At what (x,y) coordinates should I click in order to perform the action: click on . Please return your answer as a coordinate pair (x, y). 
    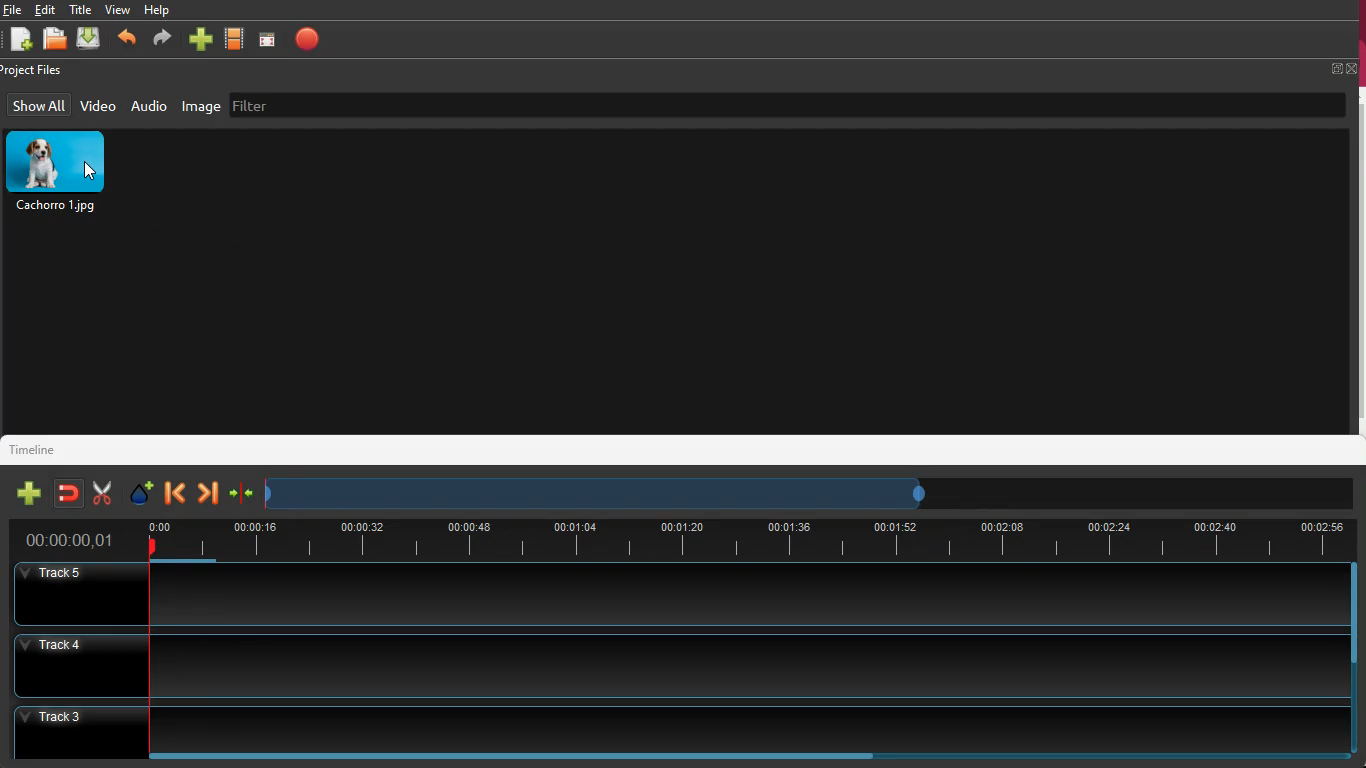
    Looking at the image, I should click on (71, 541).